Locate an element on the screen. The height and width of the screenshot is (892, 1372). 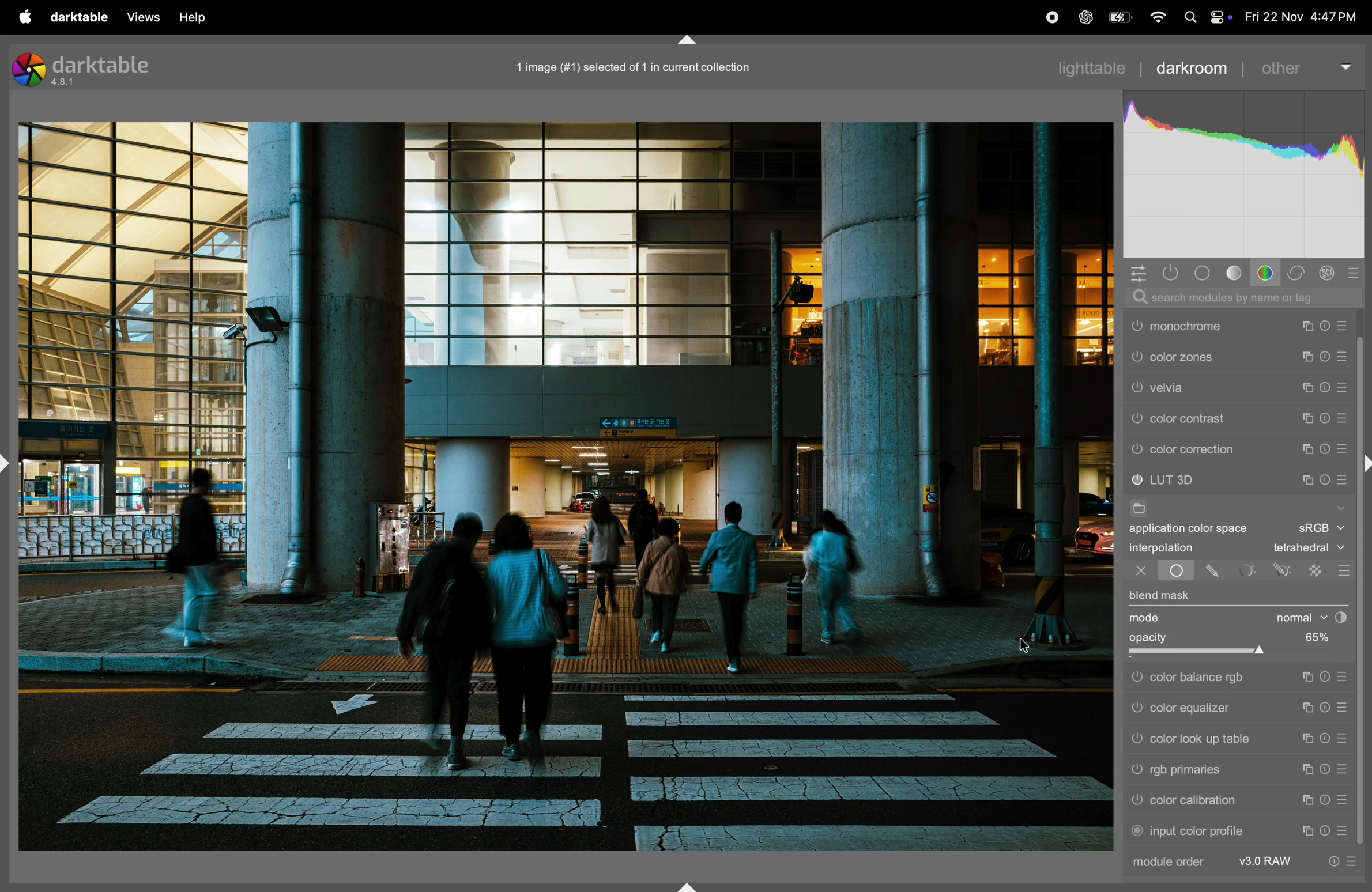
view is located at coordinates (200, 18).